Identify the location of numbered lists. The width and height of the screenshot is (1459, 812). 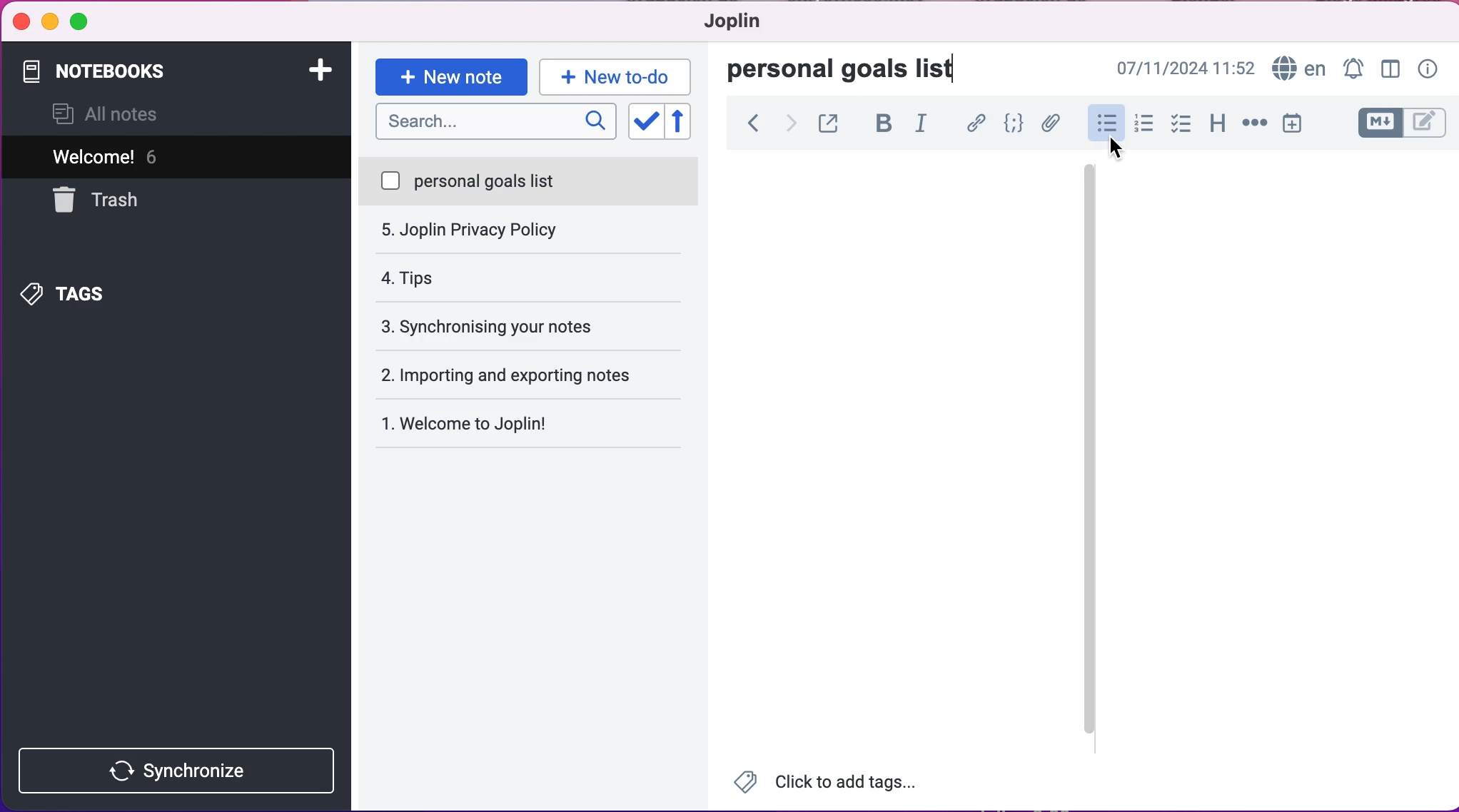
(1144, 126).